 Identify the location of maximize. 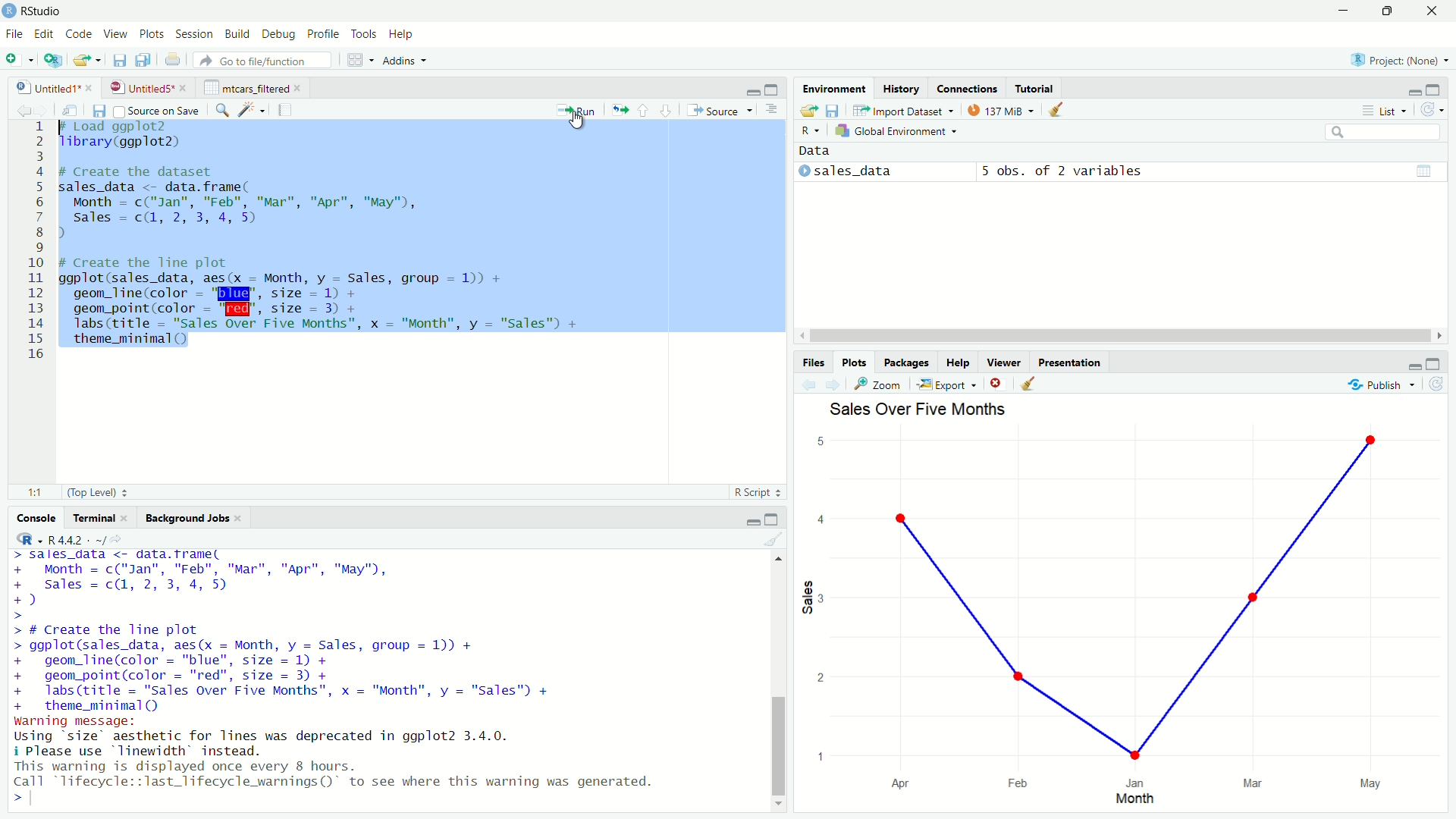
(772, 520).